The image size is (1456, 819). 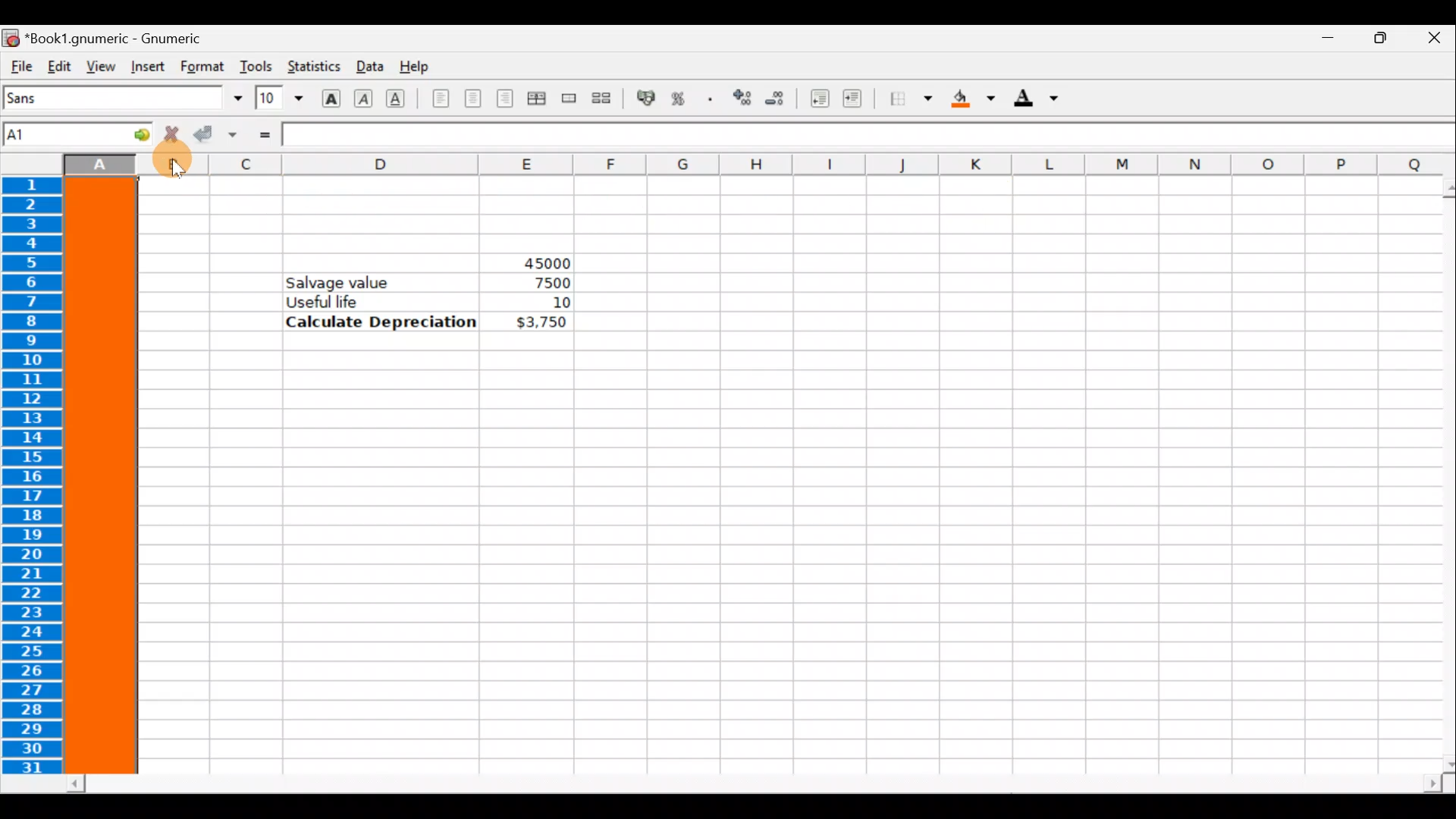 I want to click on Close, so click(x=1433, y=40).